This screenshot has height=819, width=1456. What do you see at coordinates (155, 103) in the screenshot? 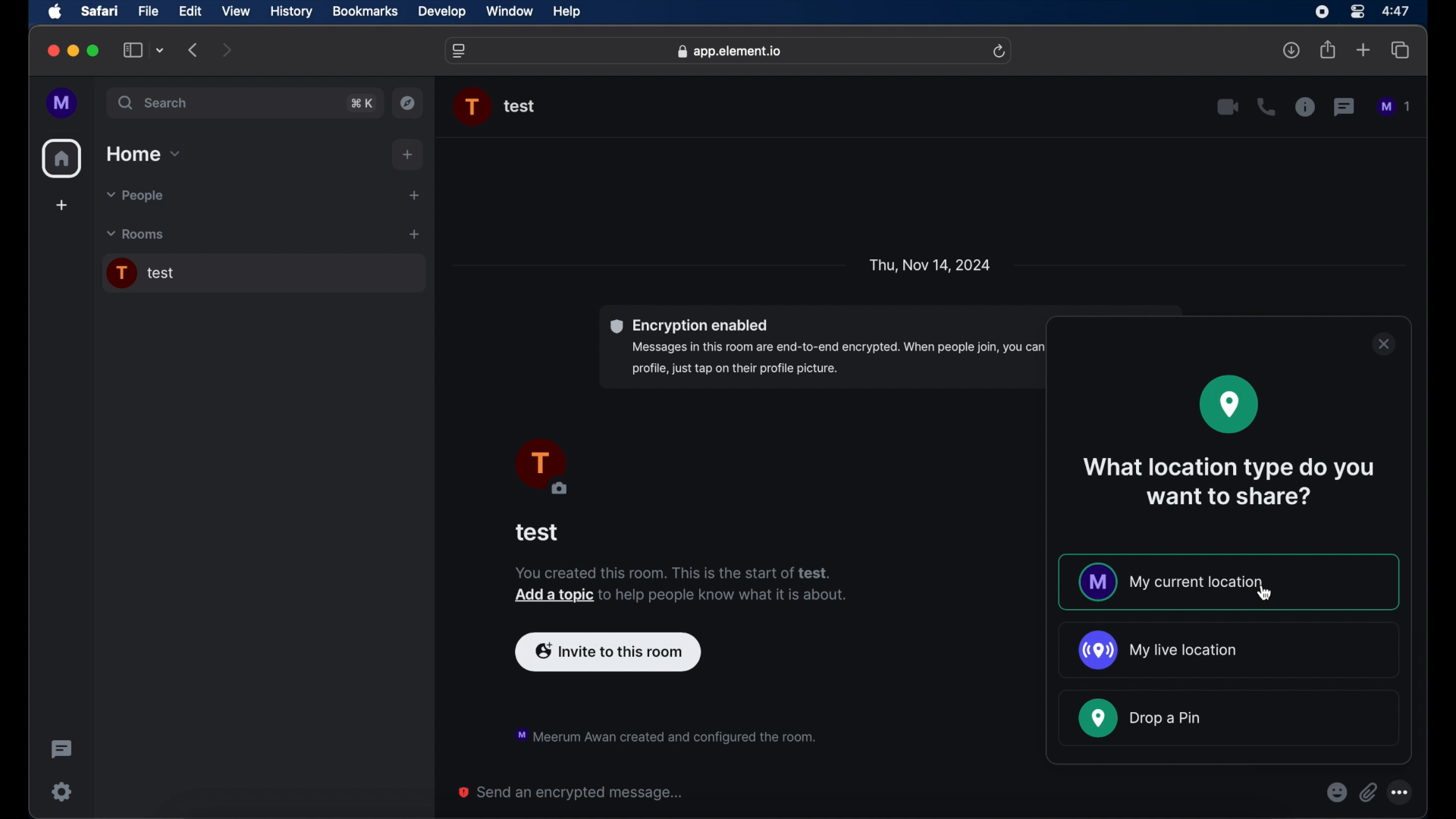
I see `search` at bounding box center [155, 103].